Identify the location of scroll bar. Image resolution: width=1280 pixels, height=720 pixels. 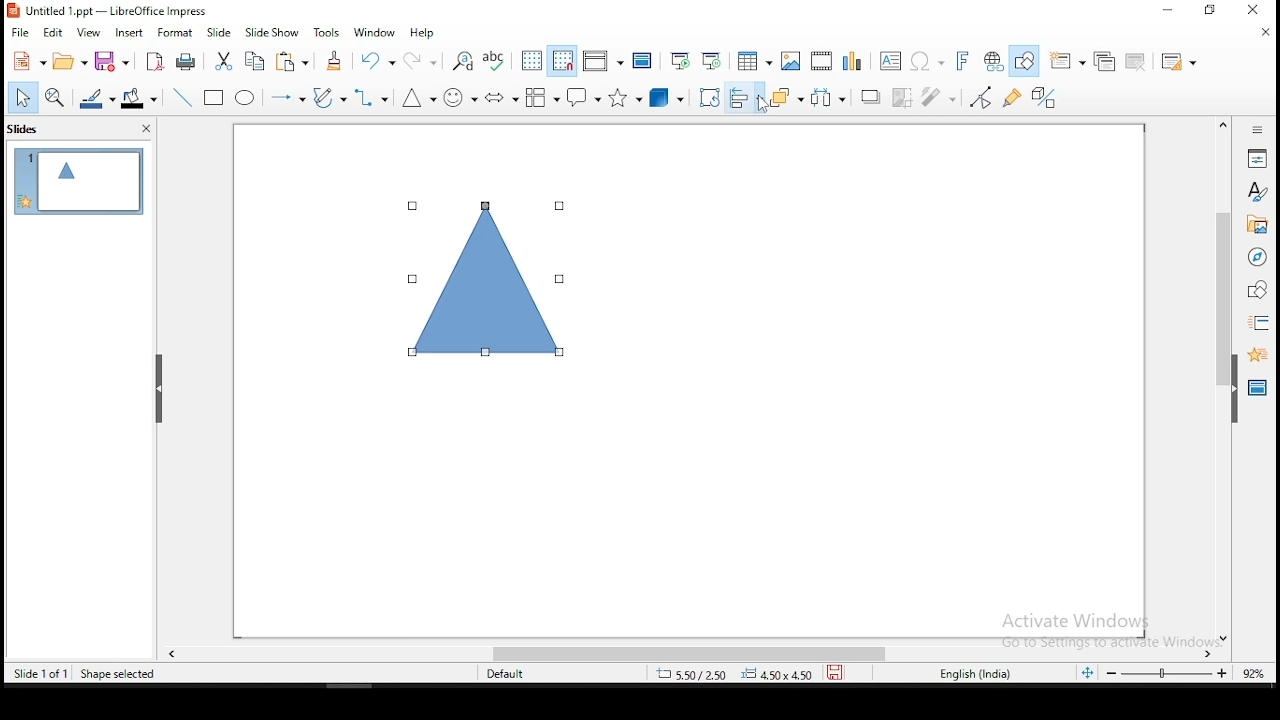
(691, 655).